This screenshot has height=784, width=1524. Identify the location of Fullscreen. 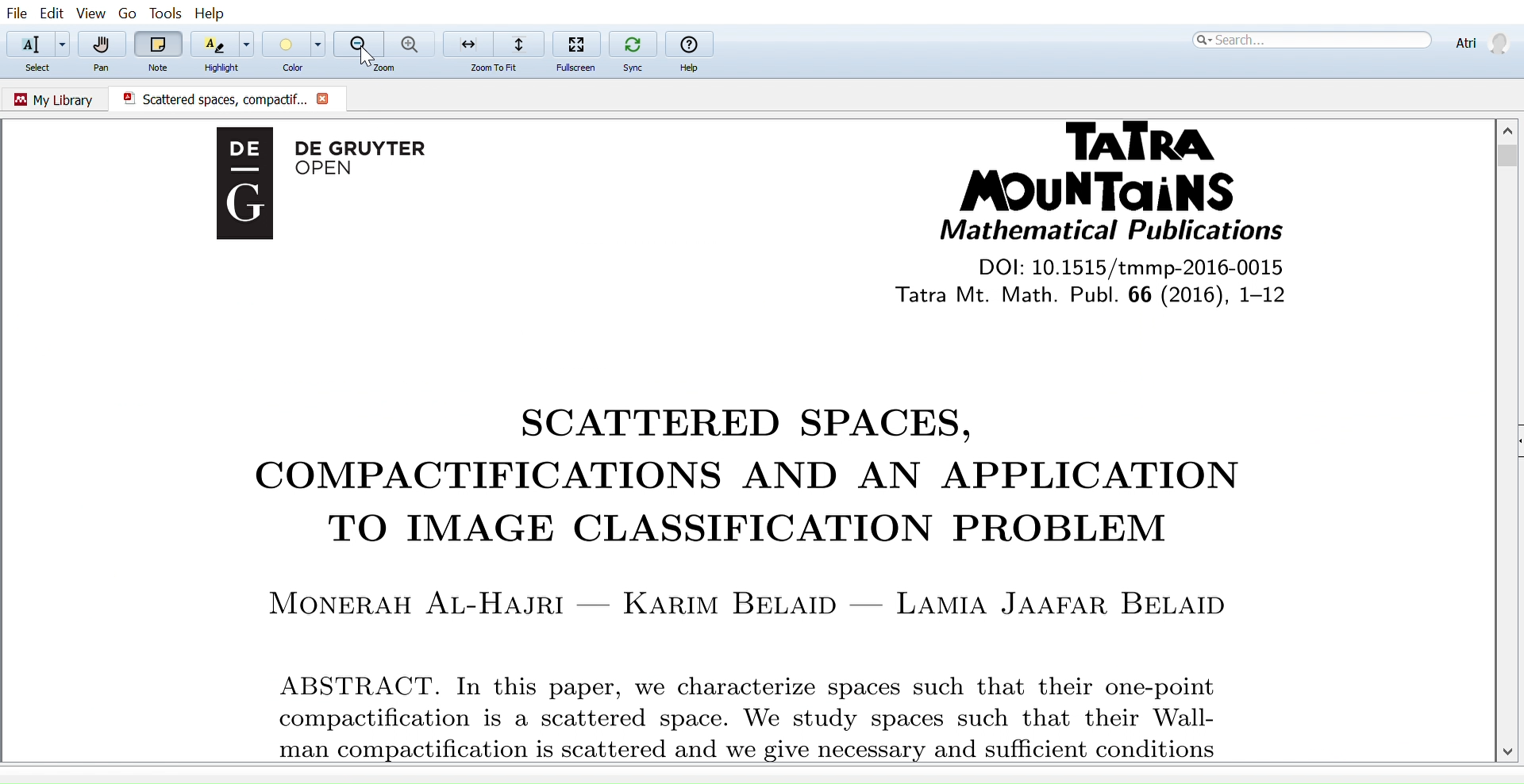
(577, 43).